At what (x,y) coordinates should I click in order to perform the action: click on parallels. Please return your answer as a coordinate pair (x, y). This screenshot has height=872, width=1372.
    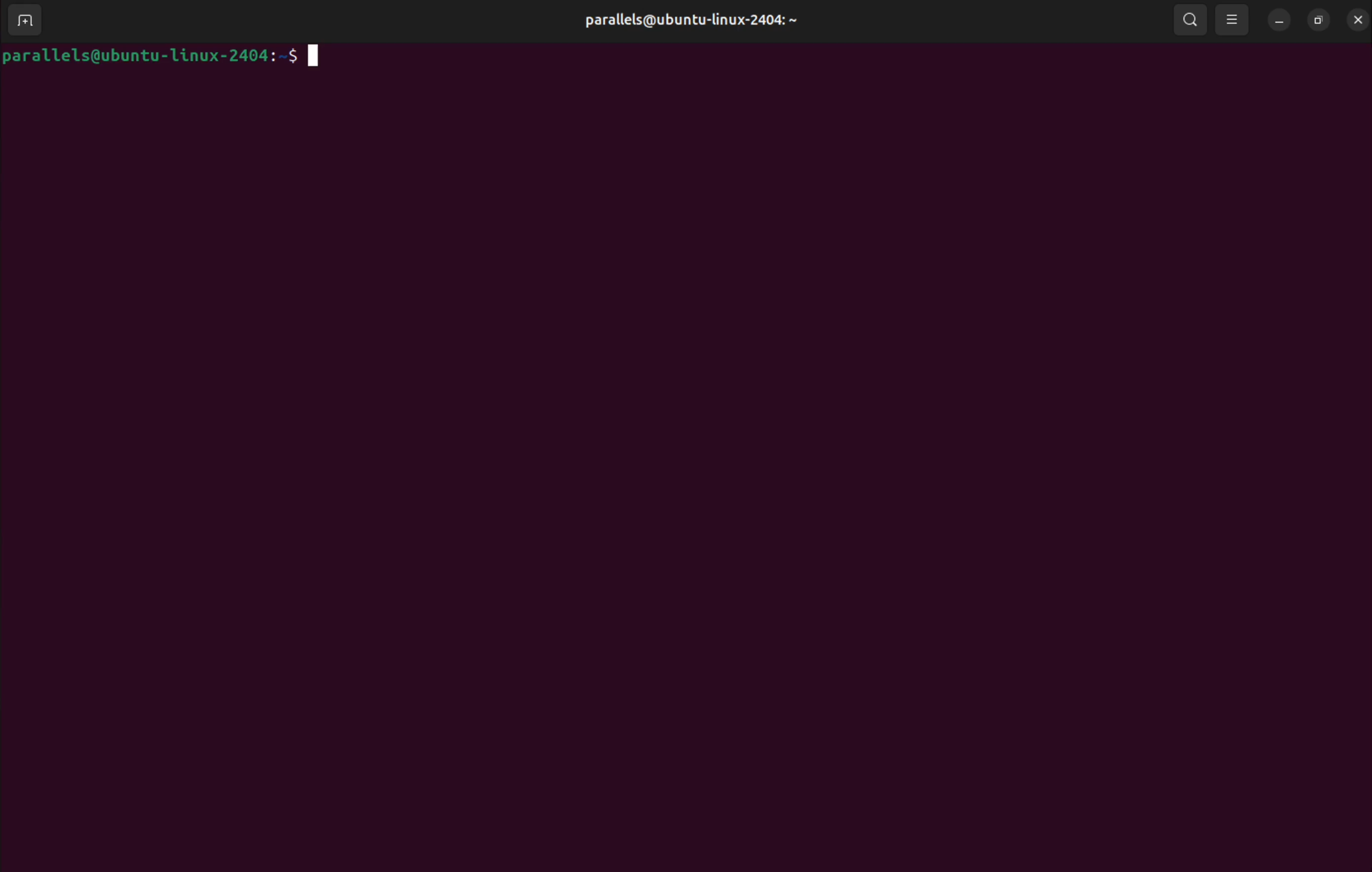
    Looking at the image, I should click on (689, 22).